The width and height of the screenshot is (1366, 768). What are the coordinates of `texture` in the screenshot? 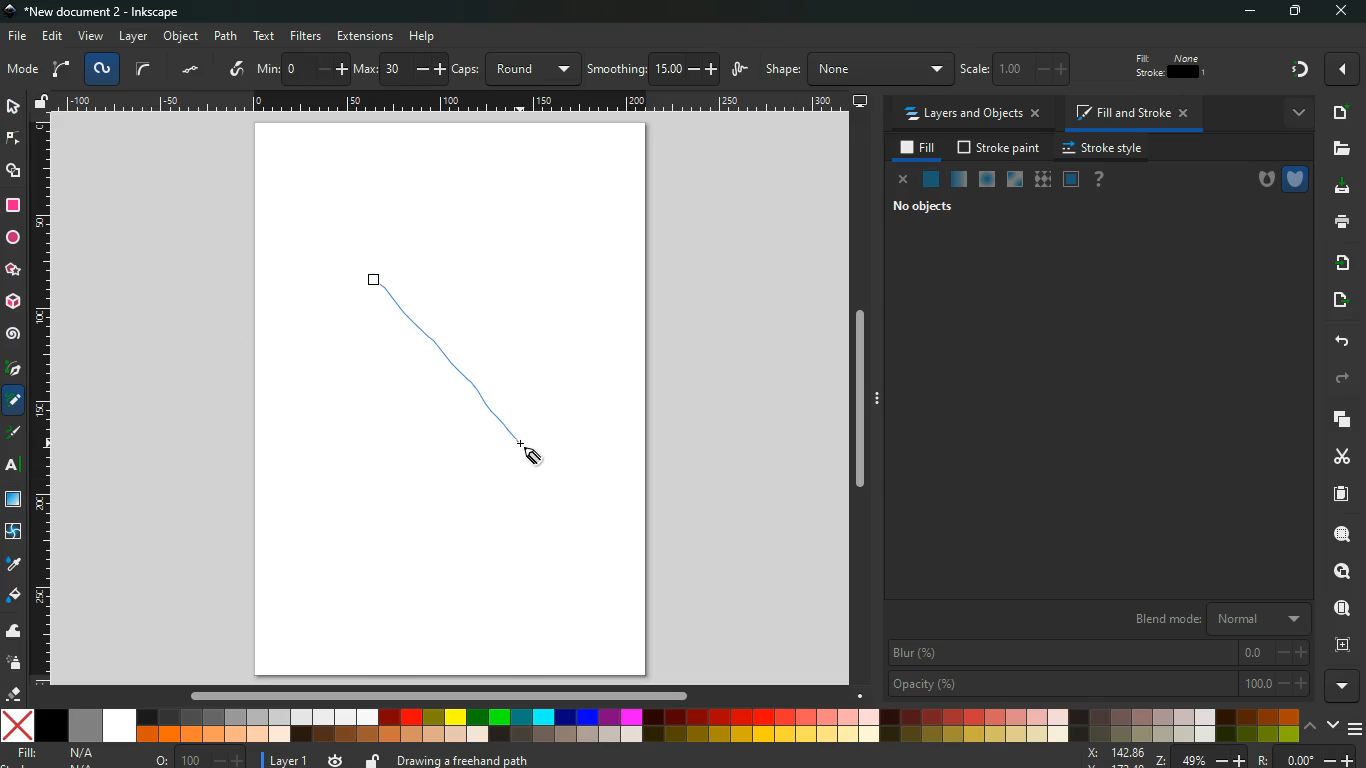 It's located at (1042, 179).